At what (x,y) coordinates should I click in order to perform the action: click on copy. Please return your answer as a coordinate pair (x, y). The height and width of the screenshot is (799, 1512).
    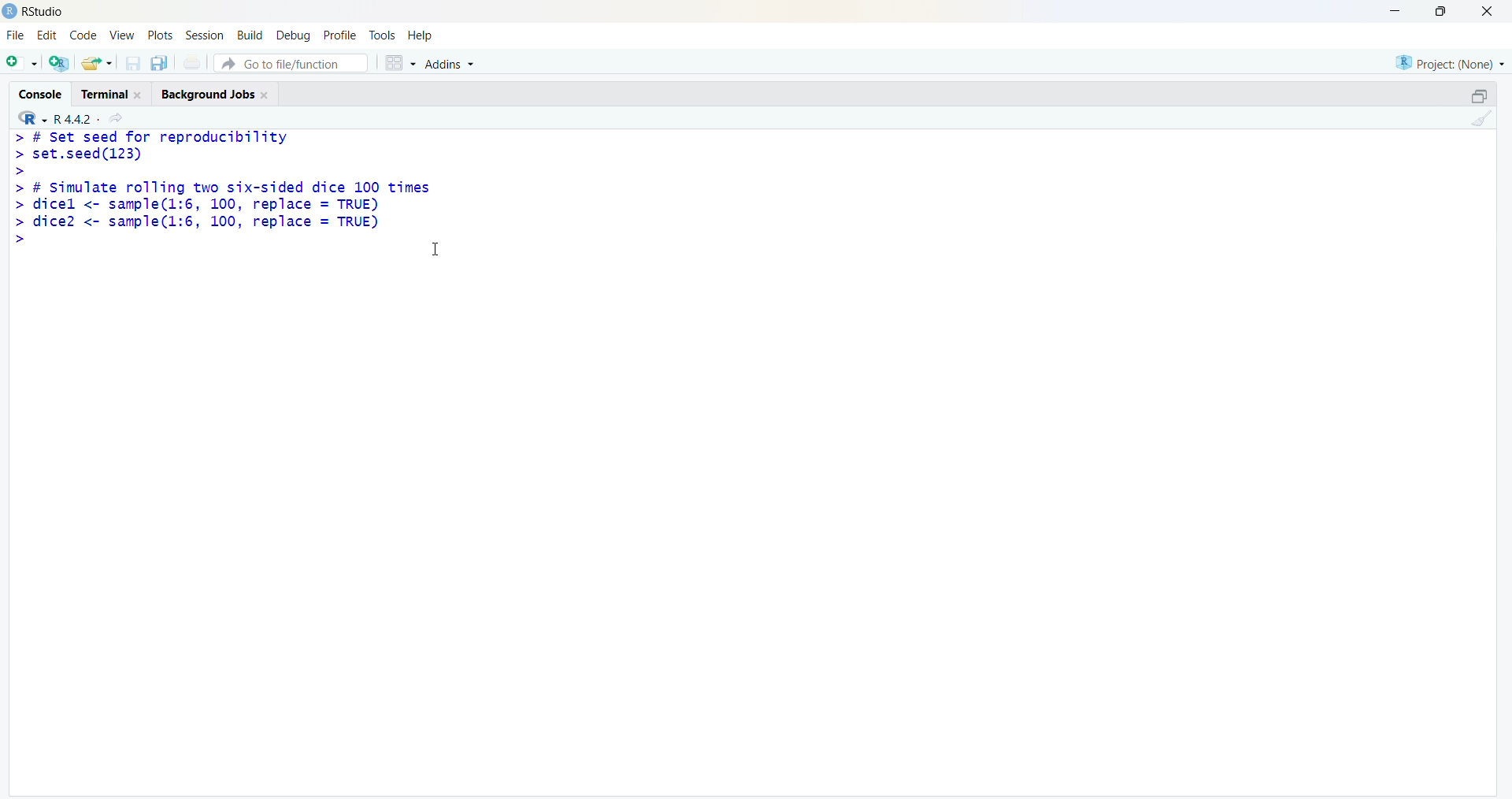
    Looking at the image, I should click on (159, 62).